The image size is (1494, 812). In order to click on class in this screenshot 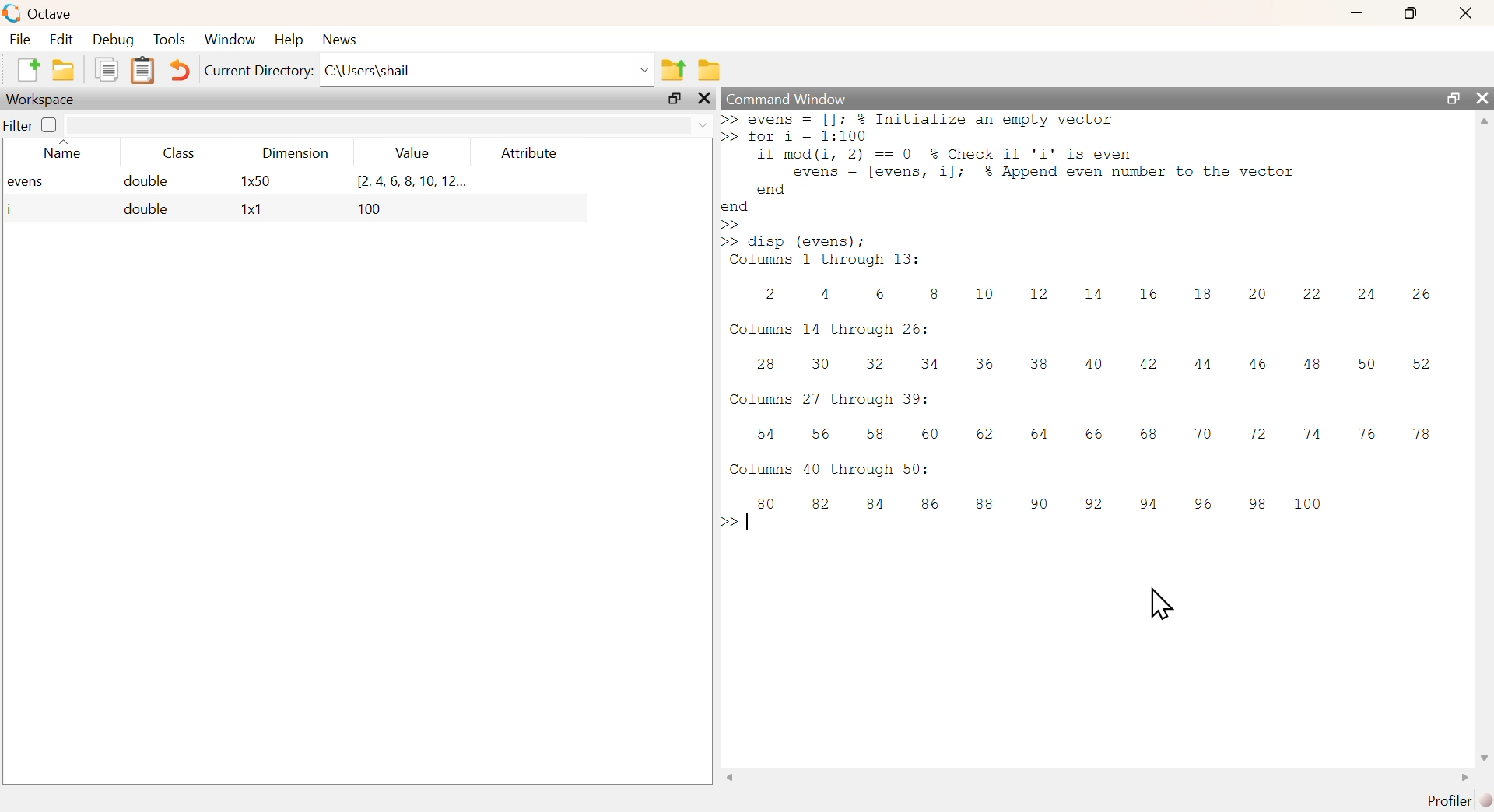, I will do `click(177, 153)`.